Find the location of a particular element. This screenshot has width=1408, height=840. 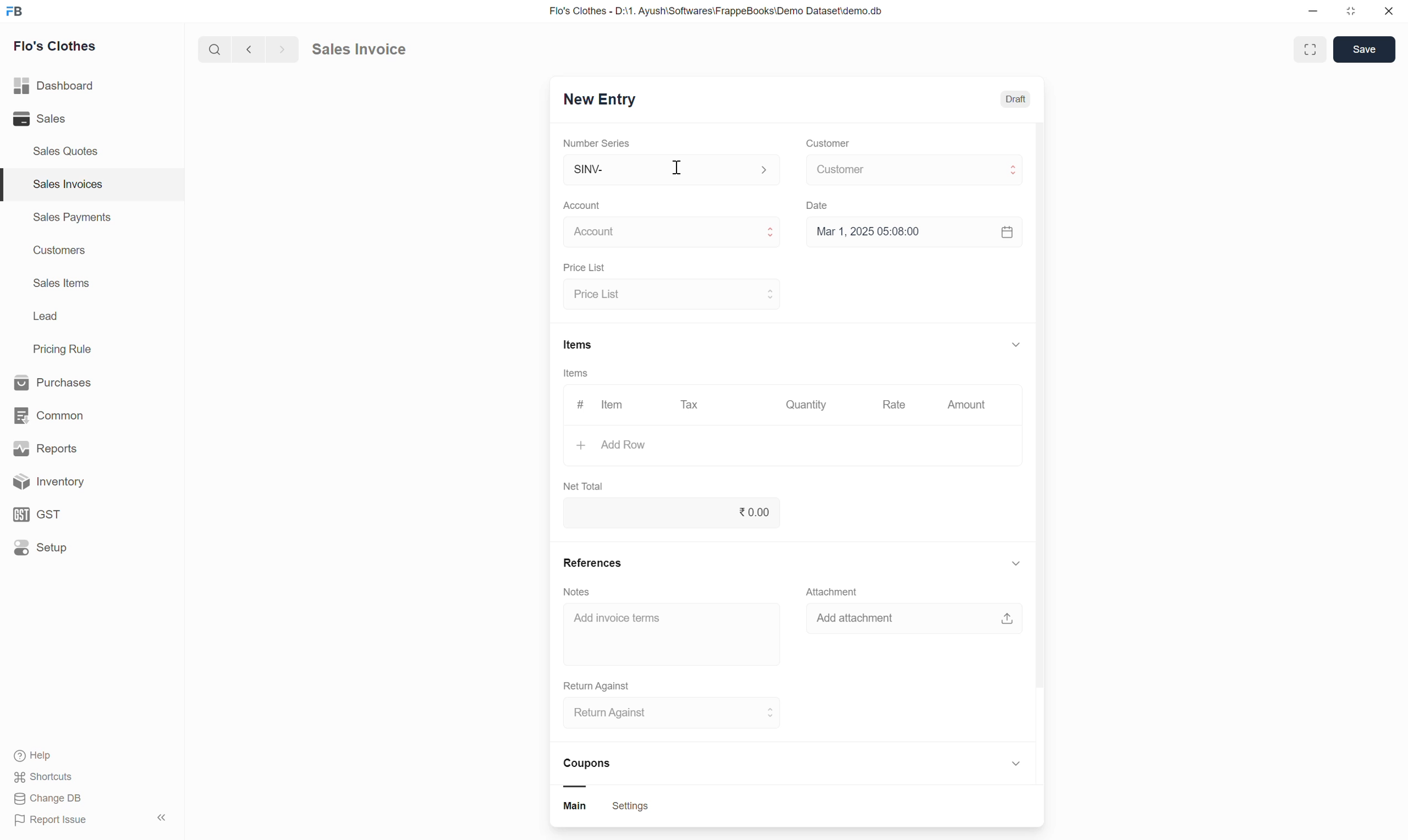

Select date  is located at coordinates (914, 236).